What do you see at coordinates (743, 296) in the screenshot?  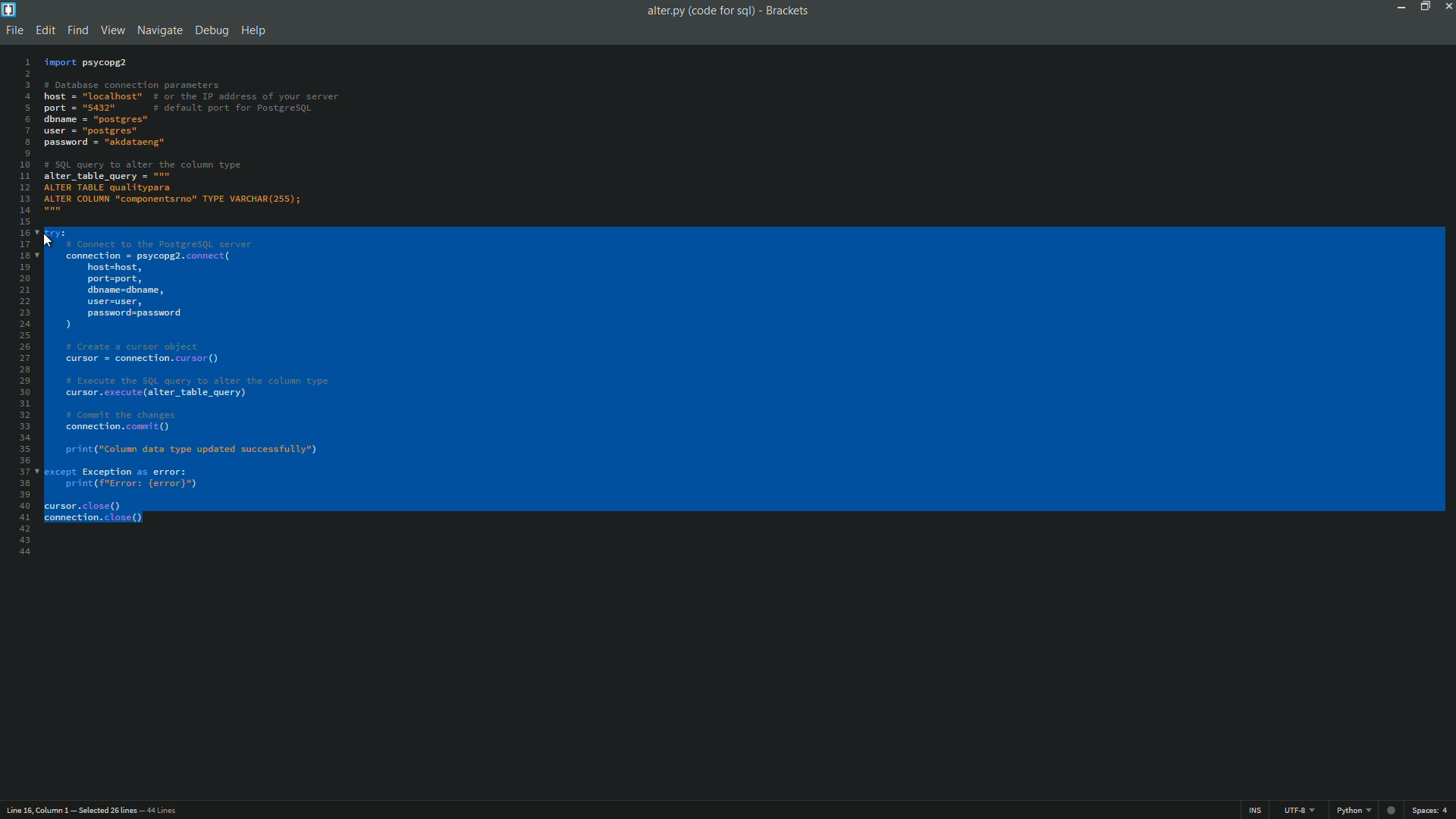 I see `code is selected` at bounding box center [743, 296].